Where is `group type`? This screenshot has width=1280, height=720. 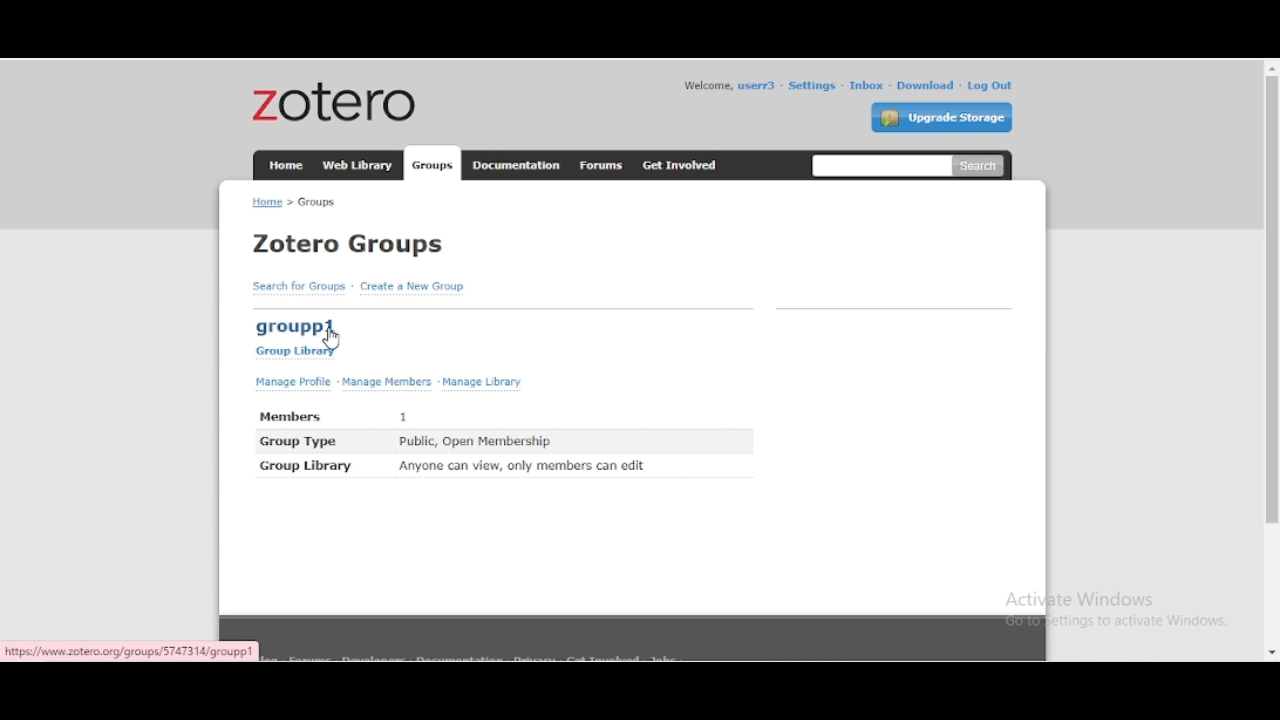 group type is located at coordinates (298, 442).